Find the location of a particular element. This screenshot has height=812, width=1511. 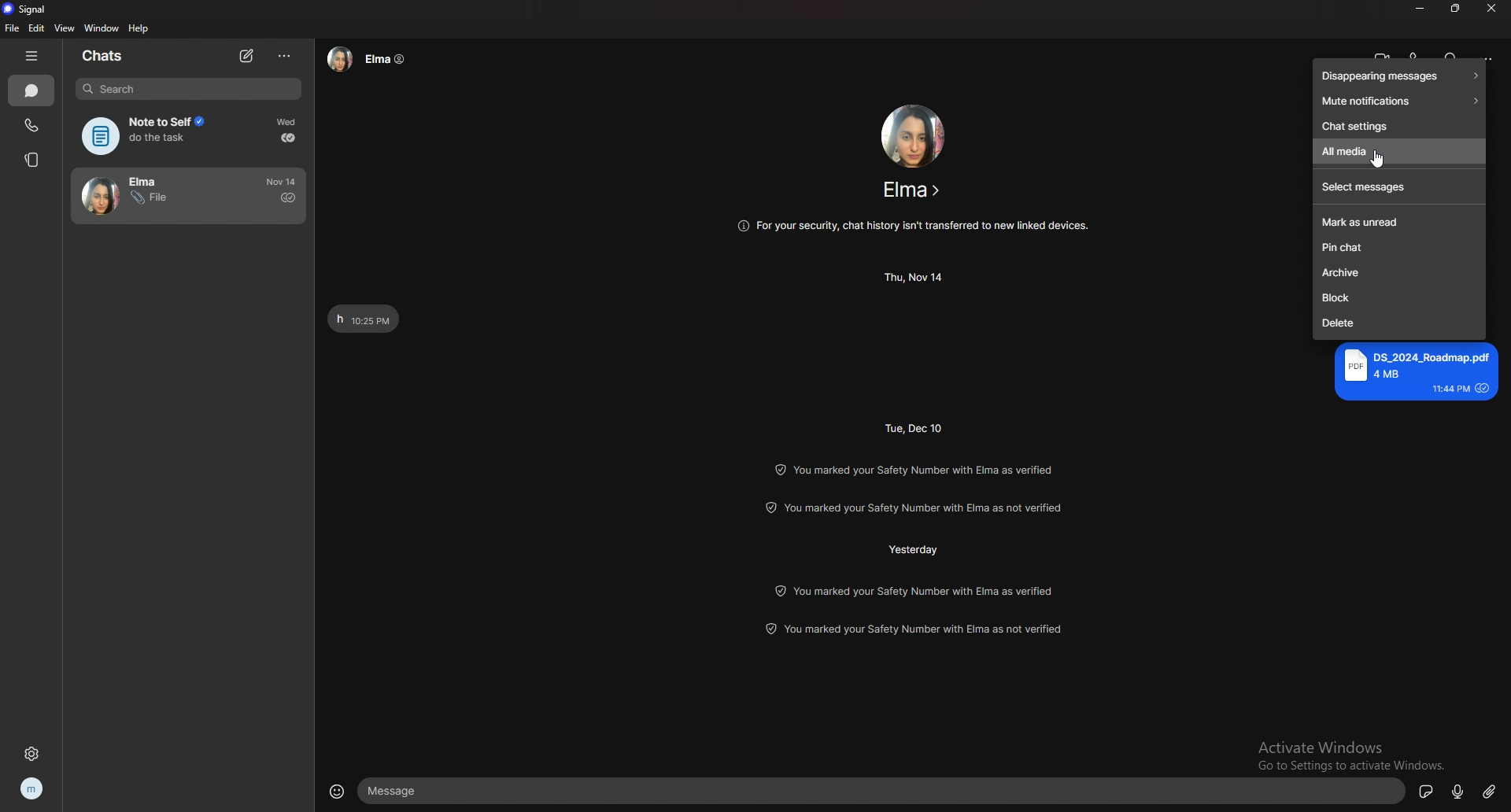

emojis is located at coordinates (338, 790).